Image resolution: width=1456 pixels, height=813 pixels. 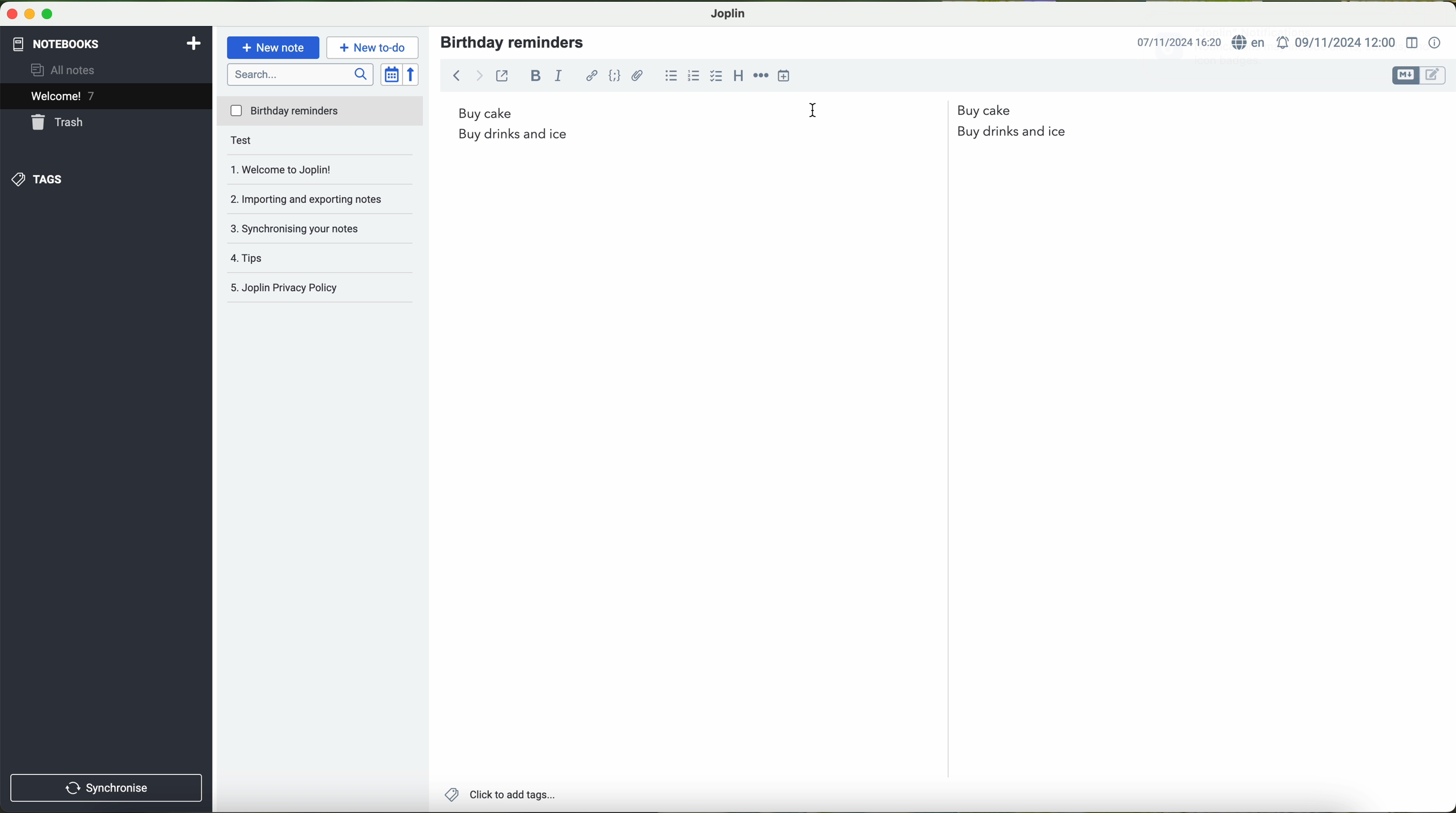 What do you see at coordinates (106, 44) in the screenshot?
I see `notebooks tab` at bounding box center [106, 44].